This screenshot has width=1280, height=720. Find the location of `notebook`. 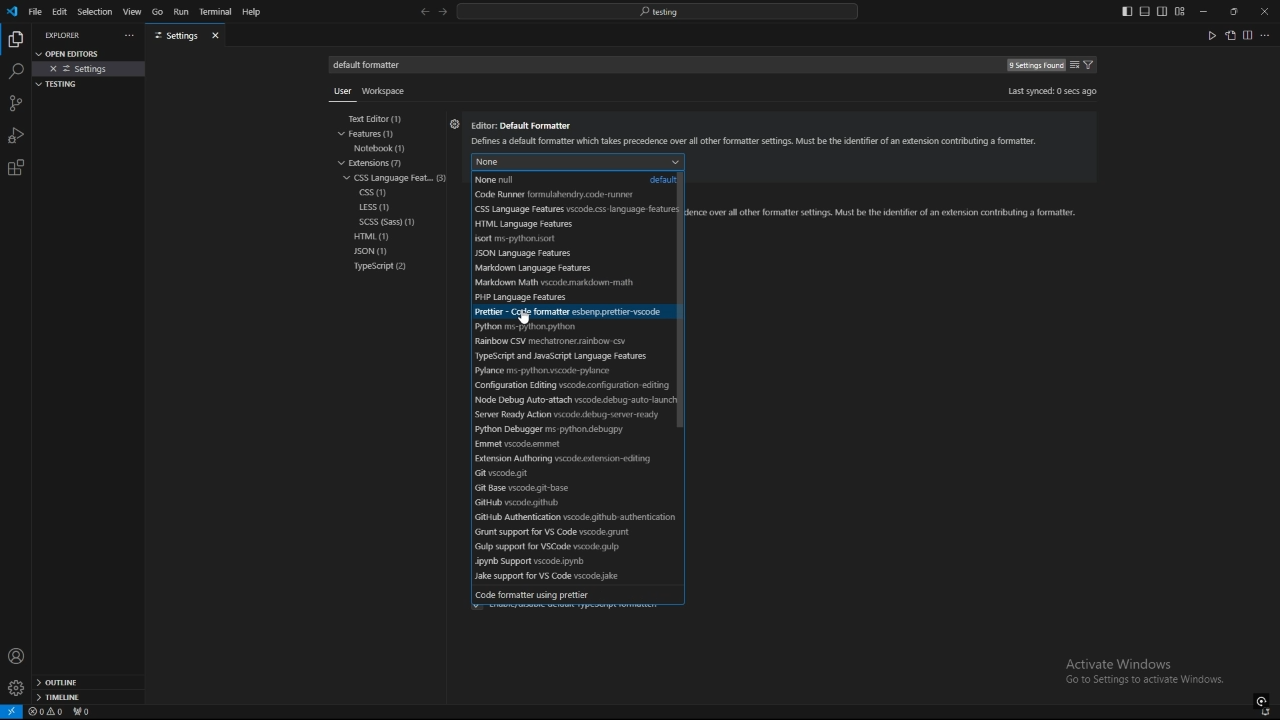

notebook is located at coordinates (385, 148).